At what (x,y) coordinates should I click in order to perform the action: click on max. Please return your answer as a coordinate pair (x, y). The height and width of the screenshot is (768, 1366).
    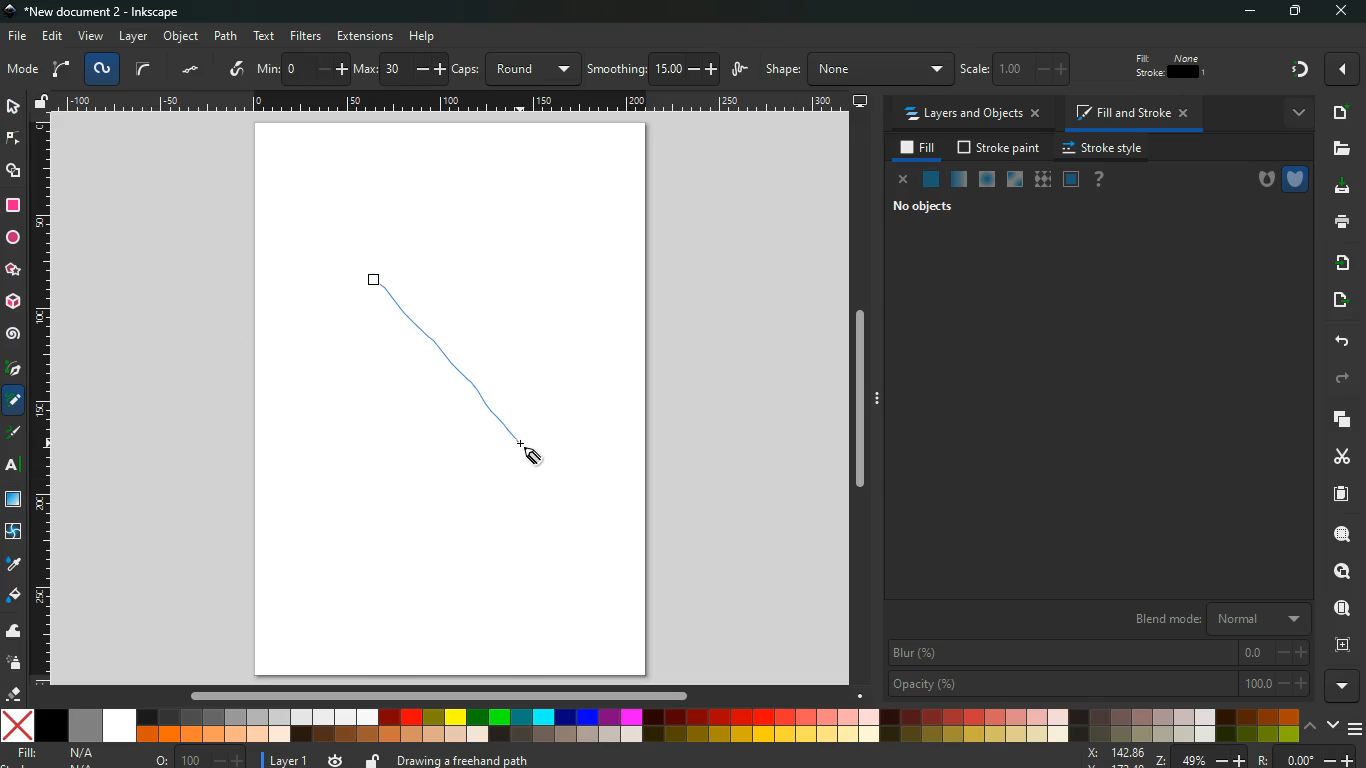
    Looking at the image, I should click on (399, 69).